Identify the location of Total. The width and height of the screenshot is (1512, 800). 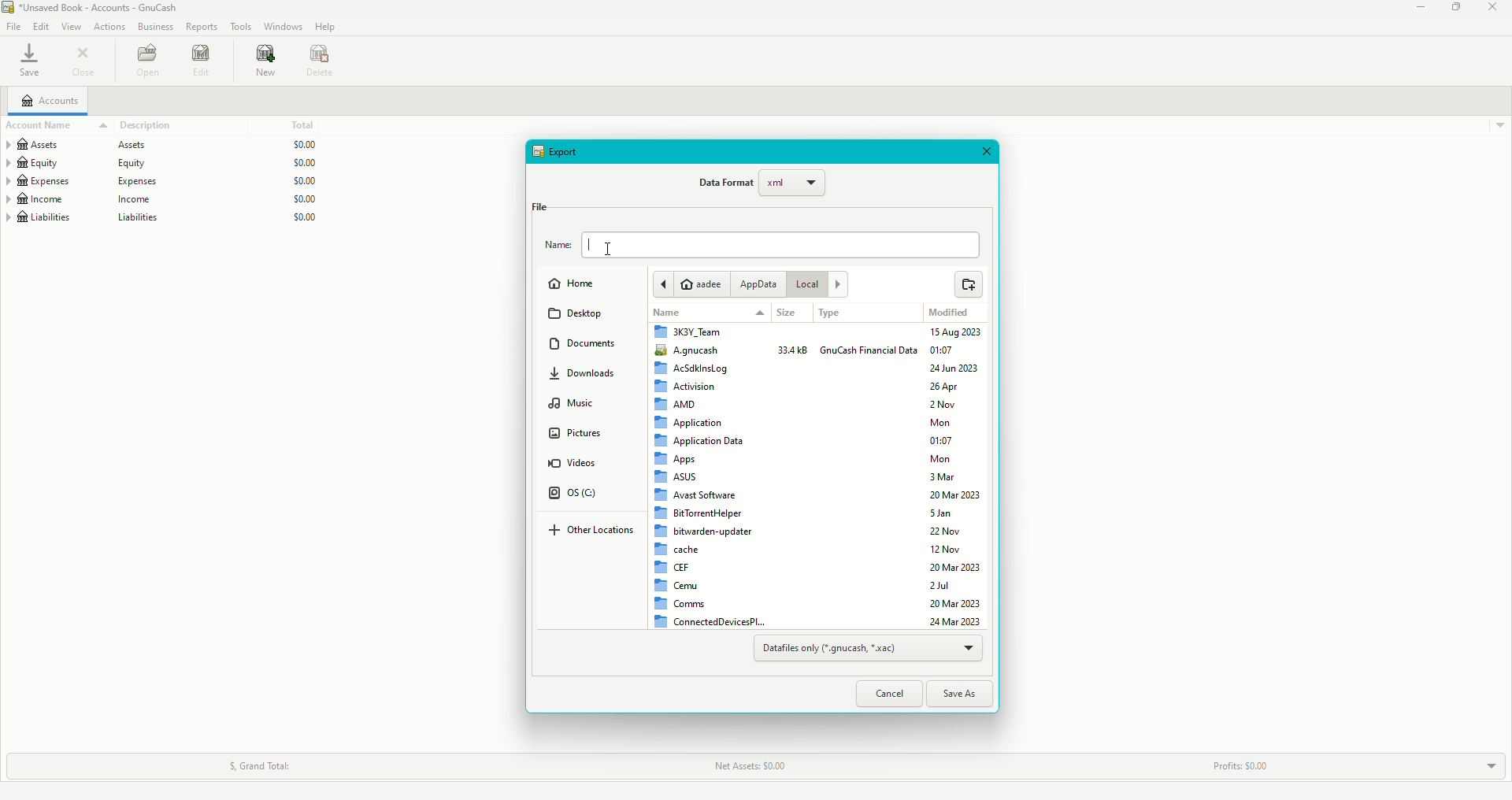
(306, 122).